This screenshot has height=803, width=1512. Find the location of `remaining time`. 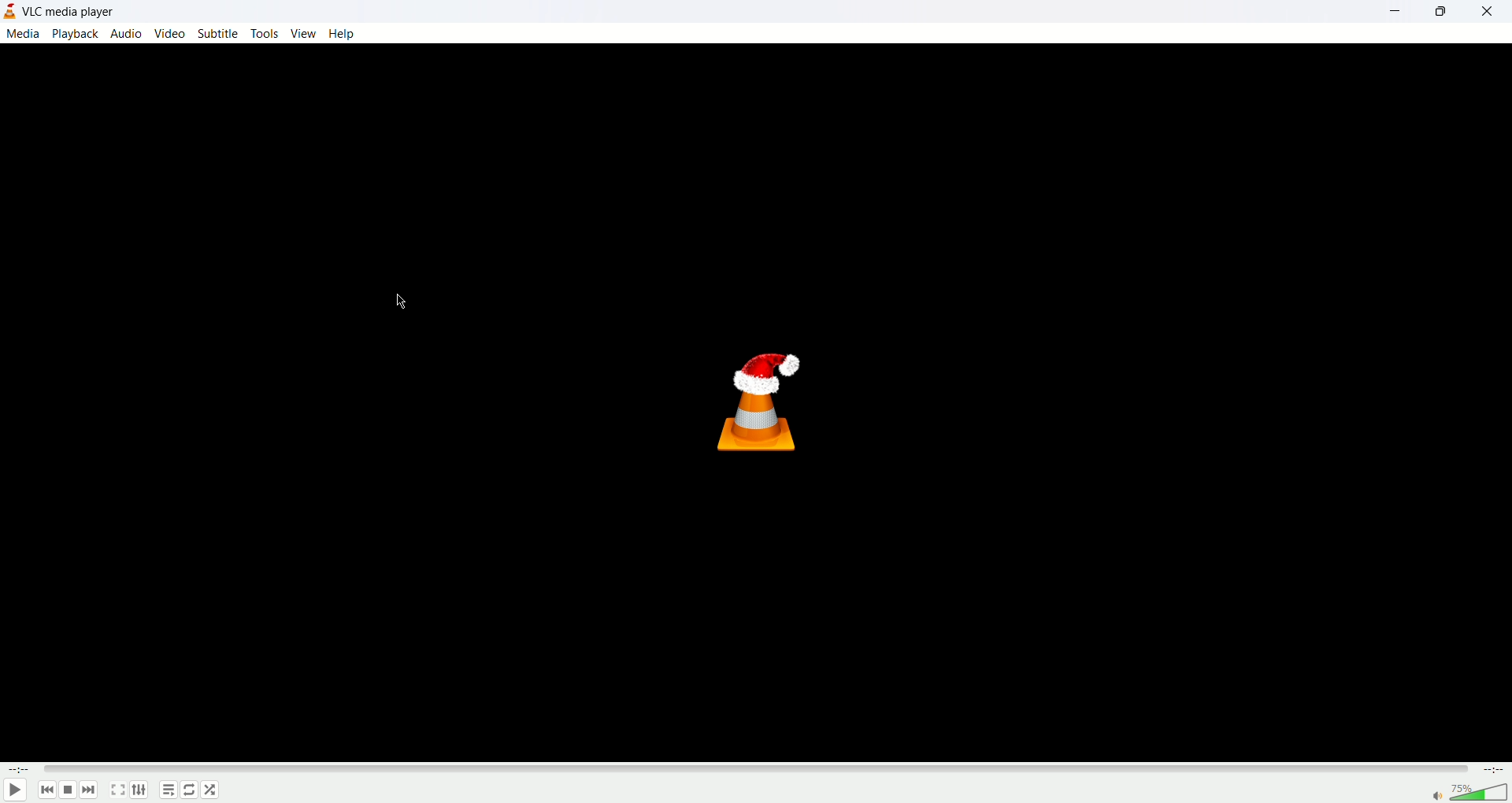

remaining time is located at coordinates (1492, 771).